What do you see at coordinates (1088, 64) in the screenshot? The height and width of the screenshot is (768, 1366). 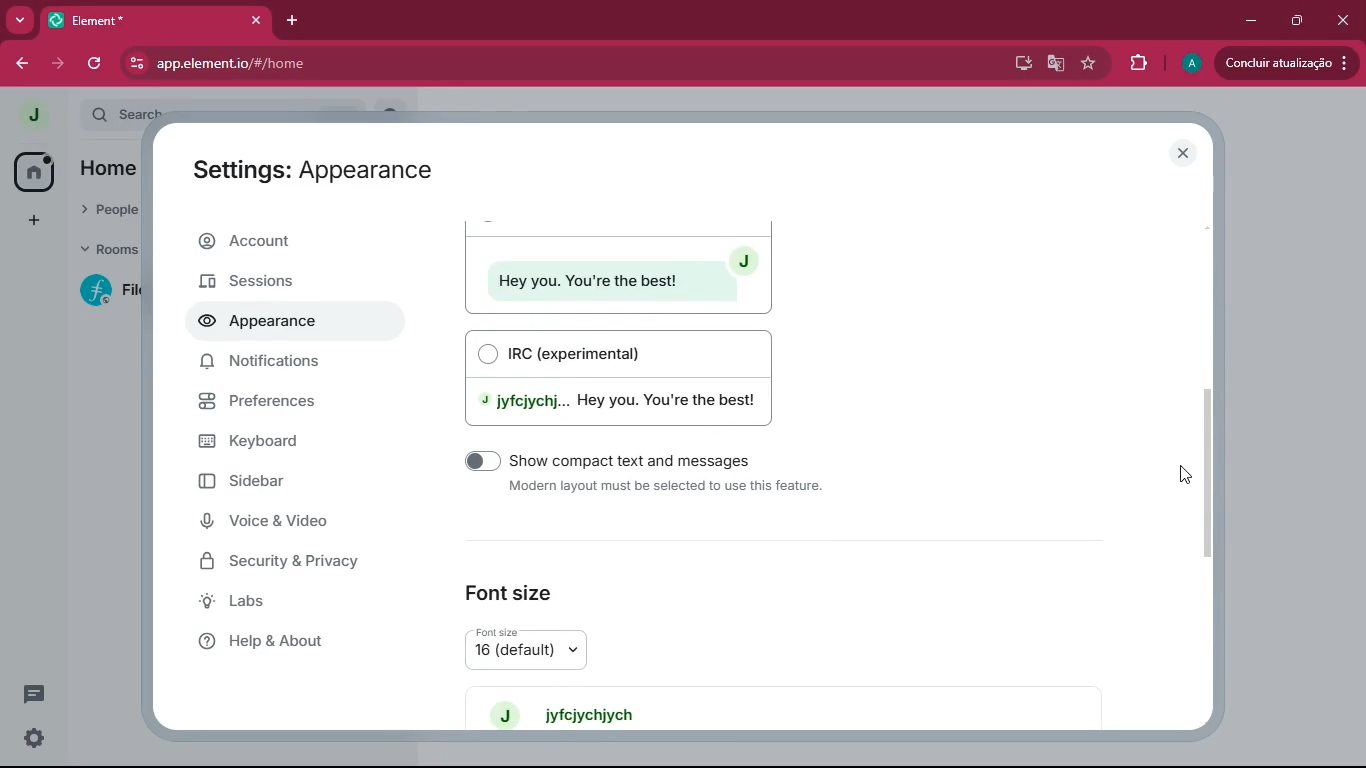 I see `favourite ` at bounding box center [1088, 64].